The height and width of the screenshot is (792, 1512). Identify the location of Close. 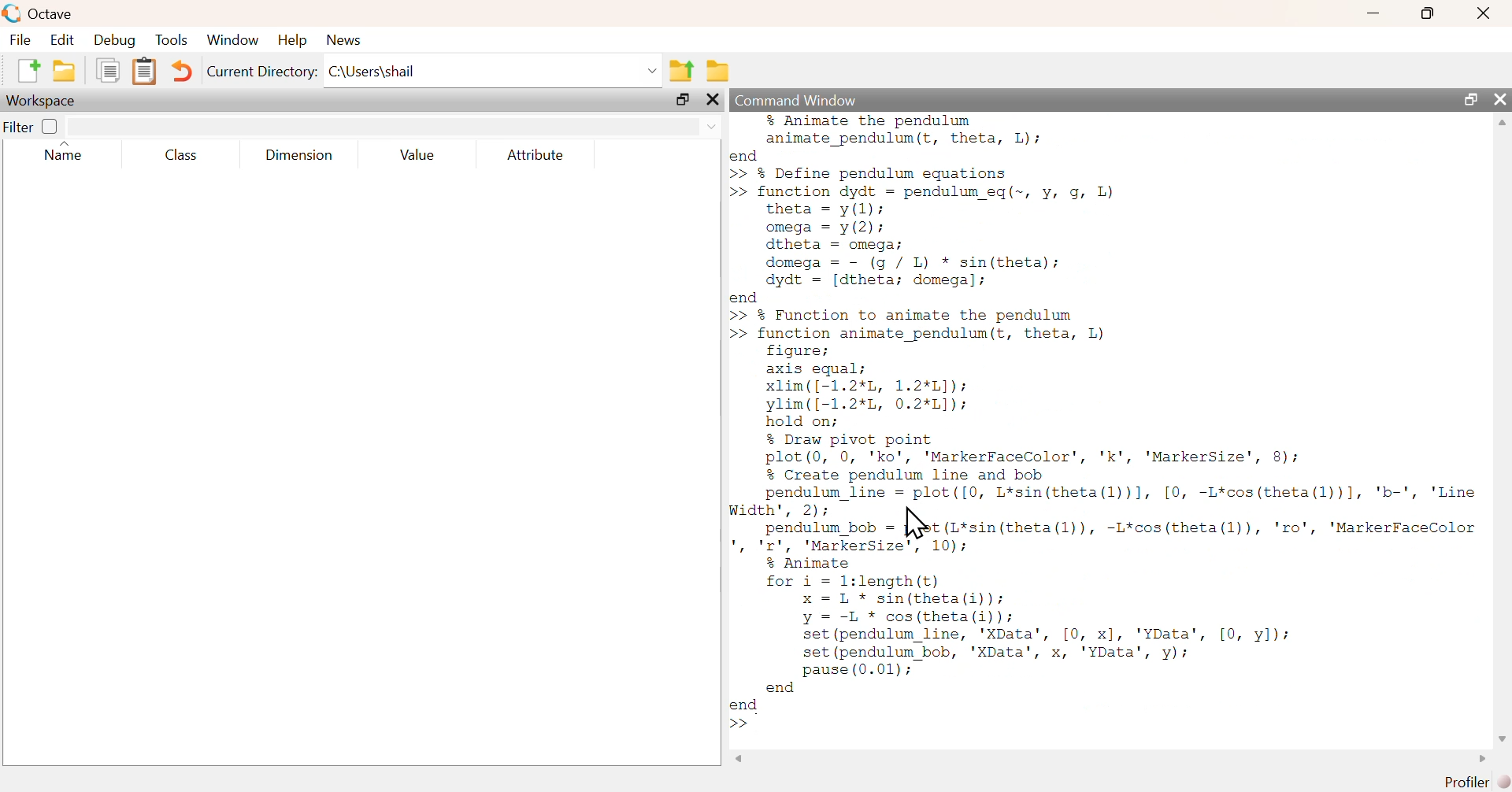
(1482, 13).